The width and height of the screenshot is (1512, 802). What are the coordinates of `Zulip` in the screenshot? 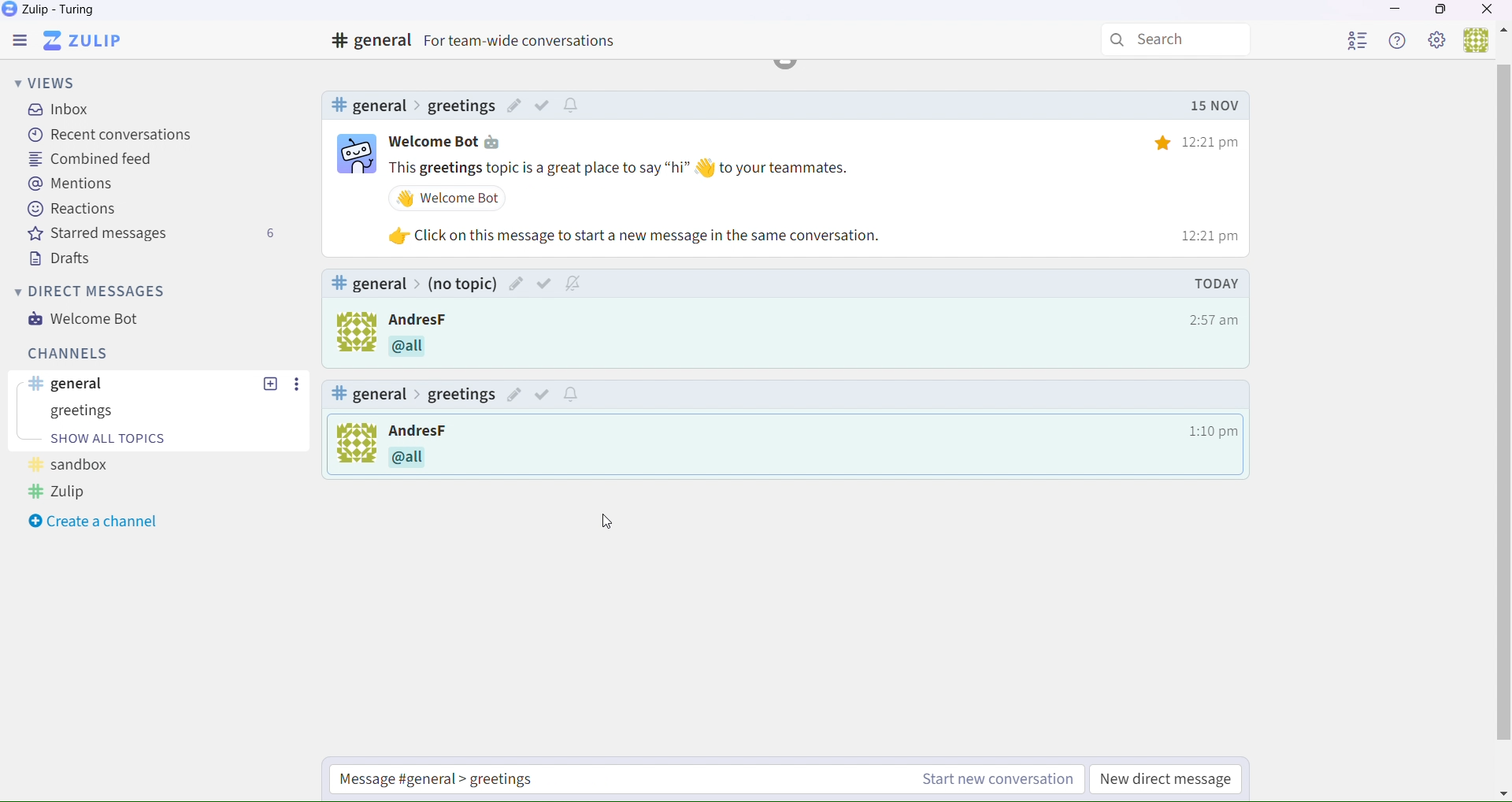 It's located at (54, 12).